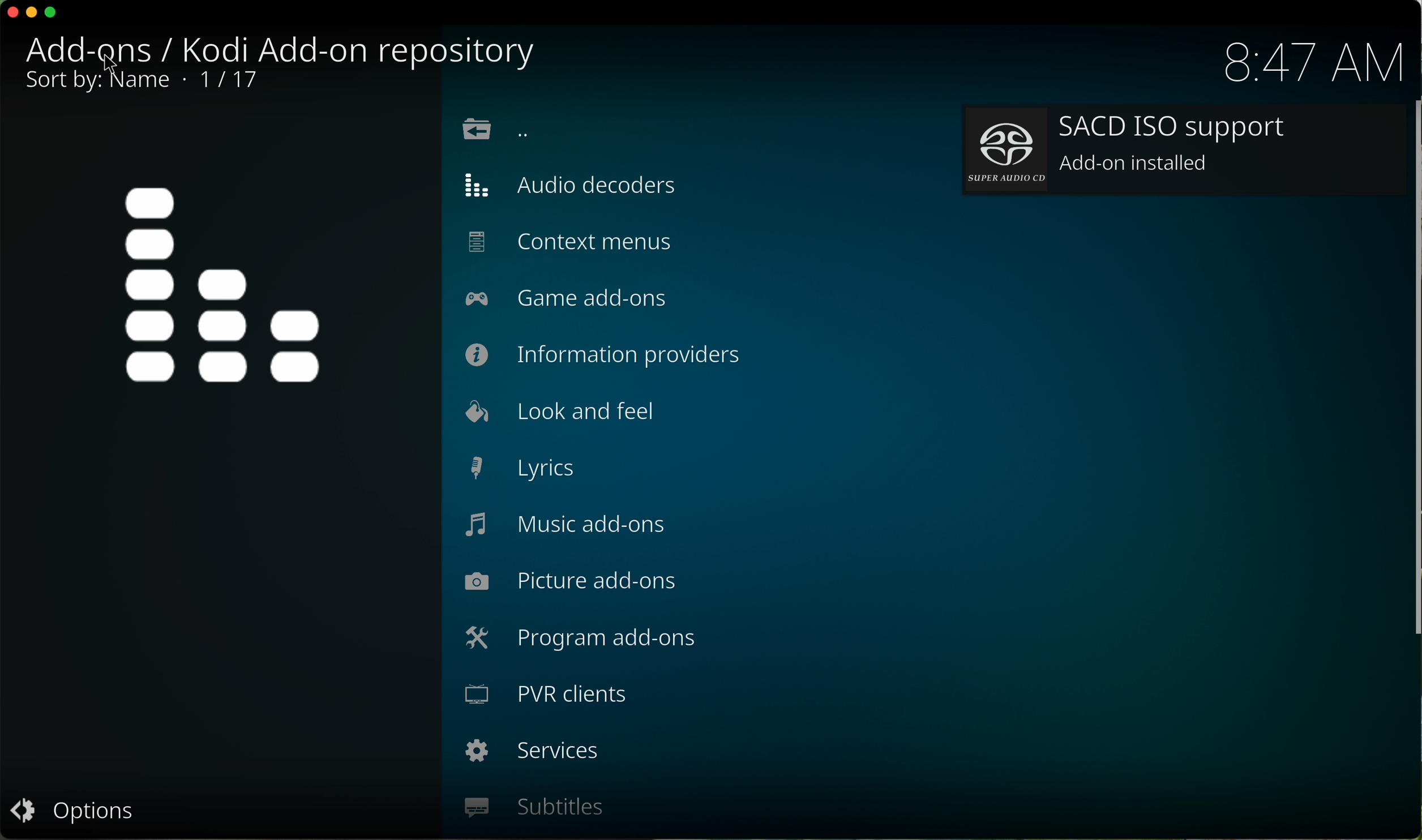 This screenshot has height=840, width=1422. What do you see at coordinates (521, 469) in the screenshot?
I see `lyrics` at bounding box center [521, 469].